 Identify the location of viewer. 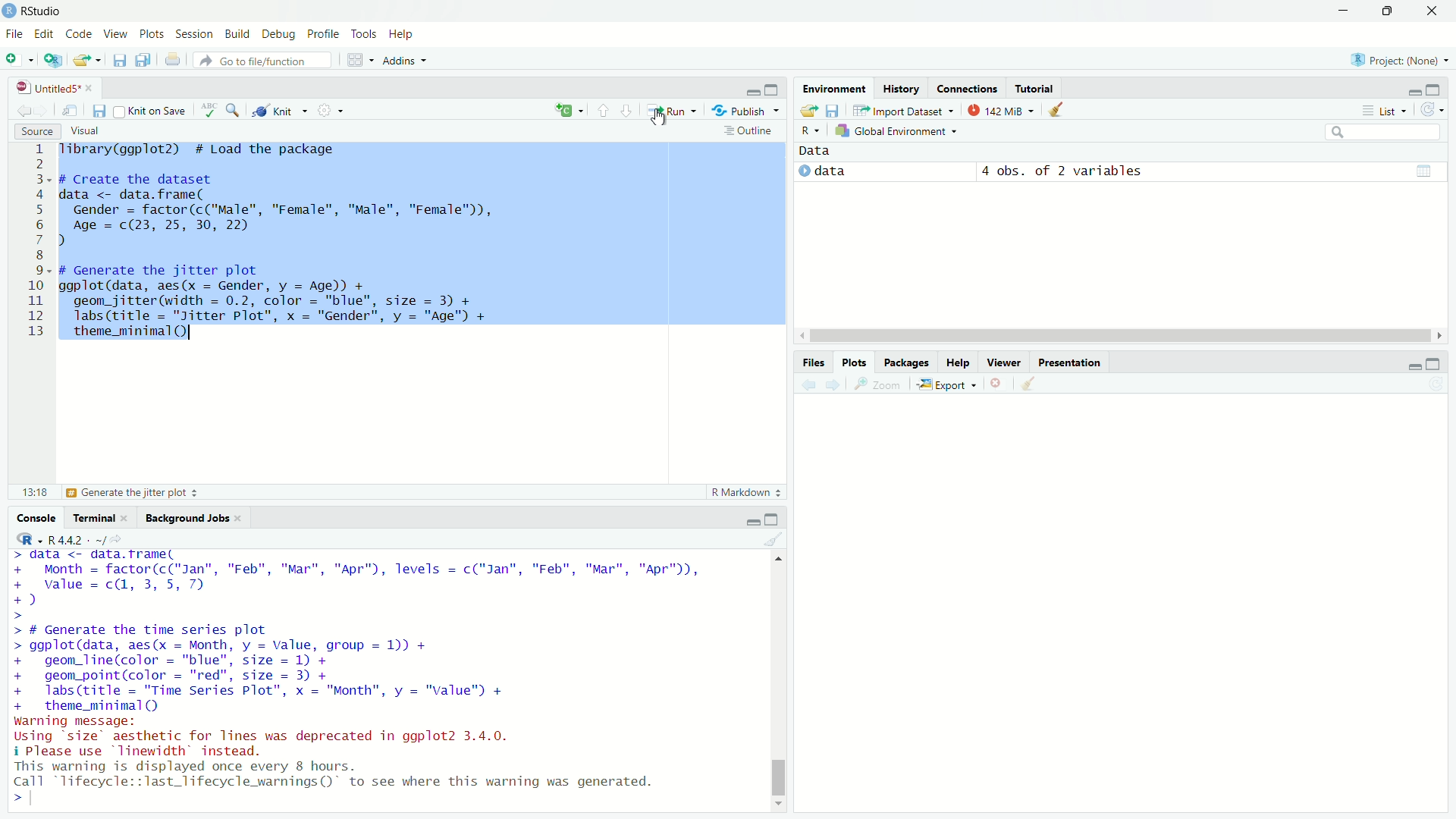
(1003, 364).